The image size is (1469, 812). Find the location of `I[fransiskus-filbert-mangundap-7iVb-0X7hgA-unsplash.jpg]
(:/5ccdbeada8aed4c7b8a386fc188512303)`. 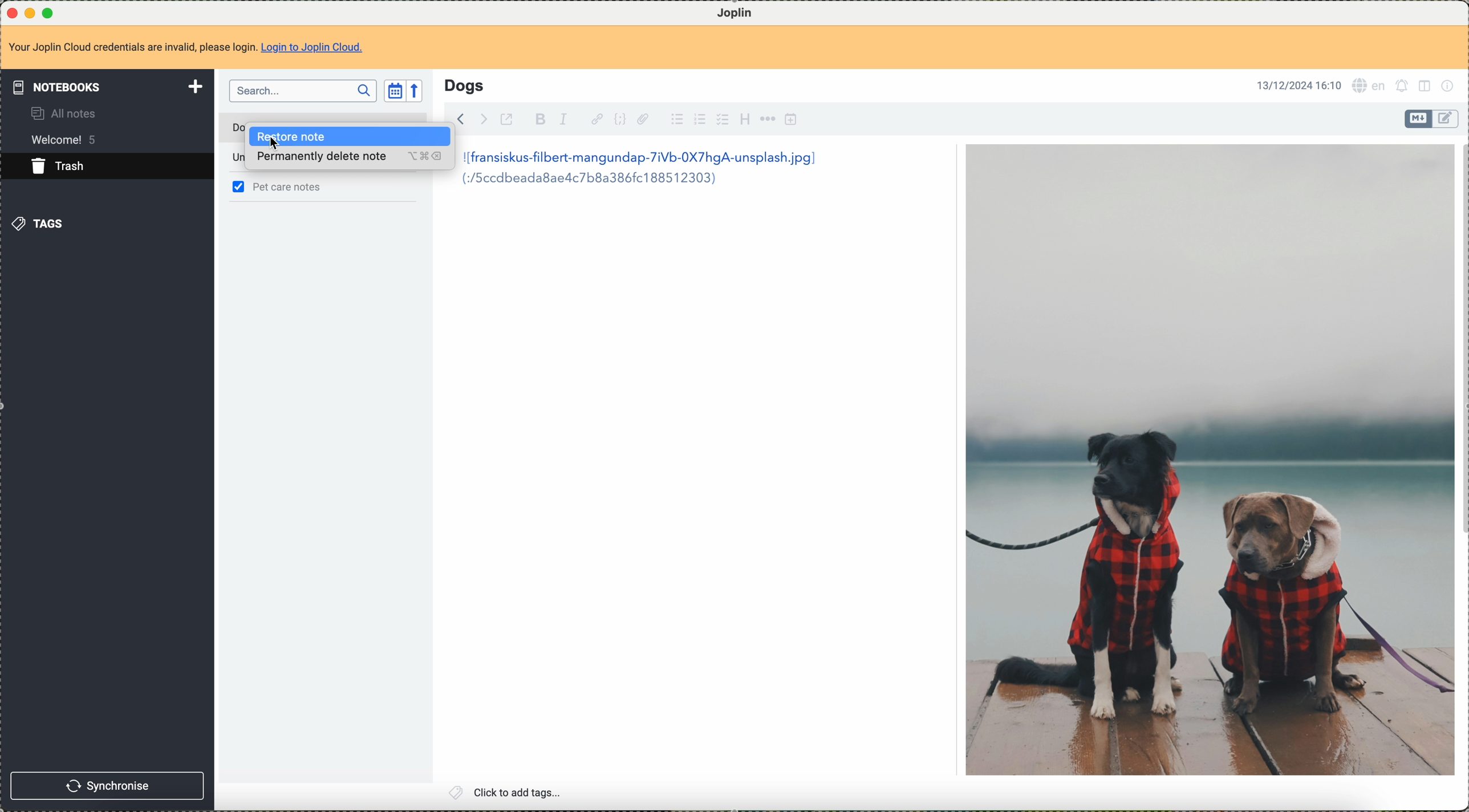

I[fransiskus-filbert-mangundap-7iVb-0X7hgA-unsplash.jpg]
(:/5ccdbeada8aed4c7b8a386fc188512303) is located at coordinates (647, 169).